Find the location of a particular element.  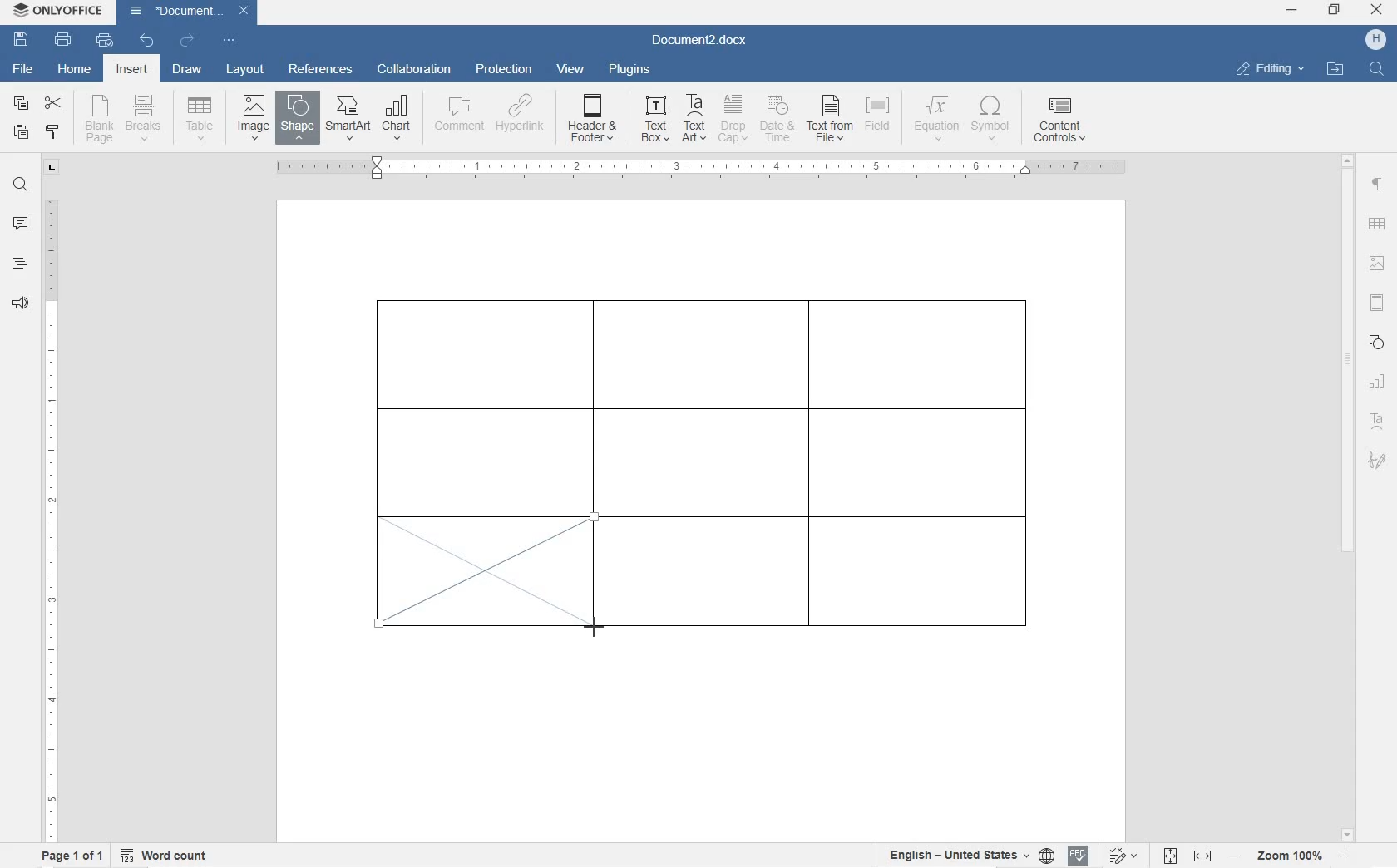

print is located at coordinates (64, 39).